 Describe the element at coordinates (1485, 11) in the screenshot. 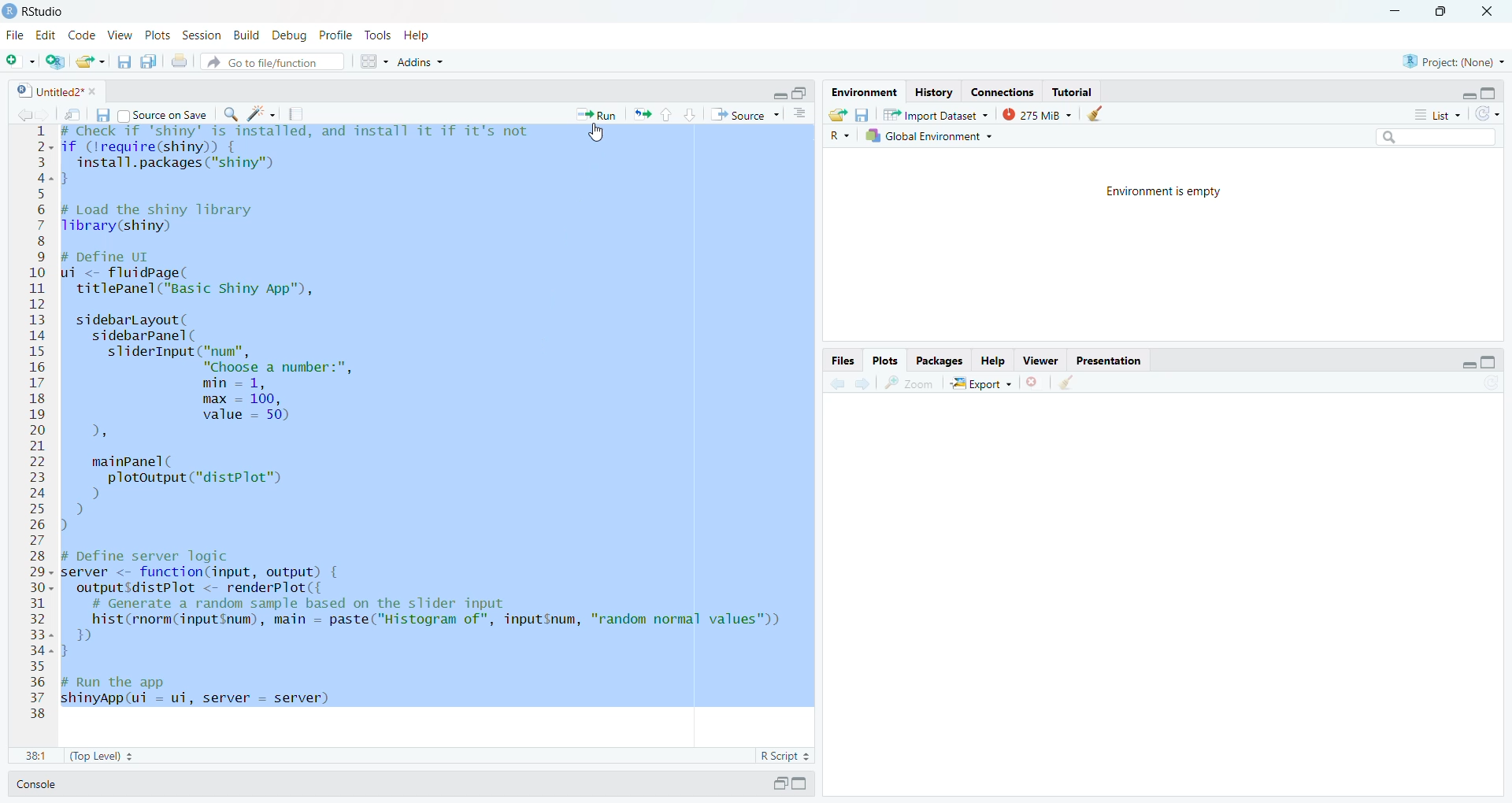

I see `close` at that location.